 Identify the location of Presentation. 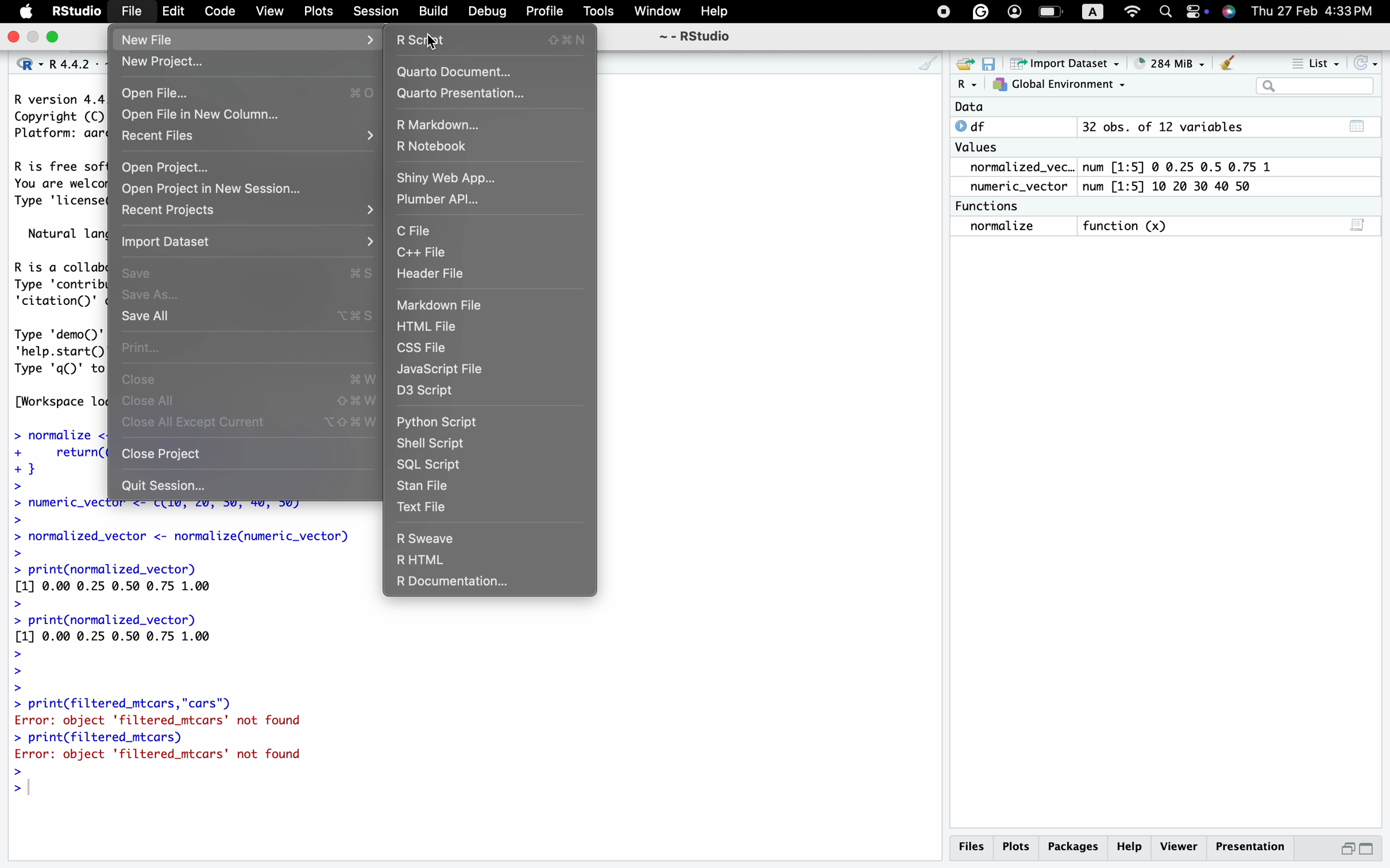
(1249, 843).